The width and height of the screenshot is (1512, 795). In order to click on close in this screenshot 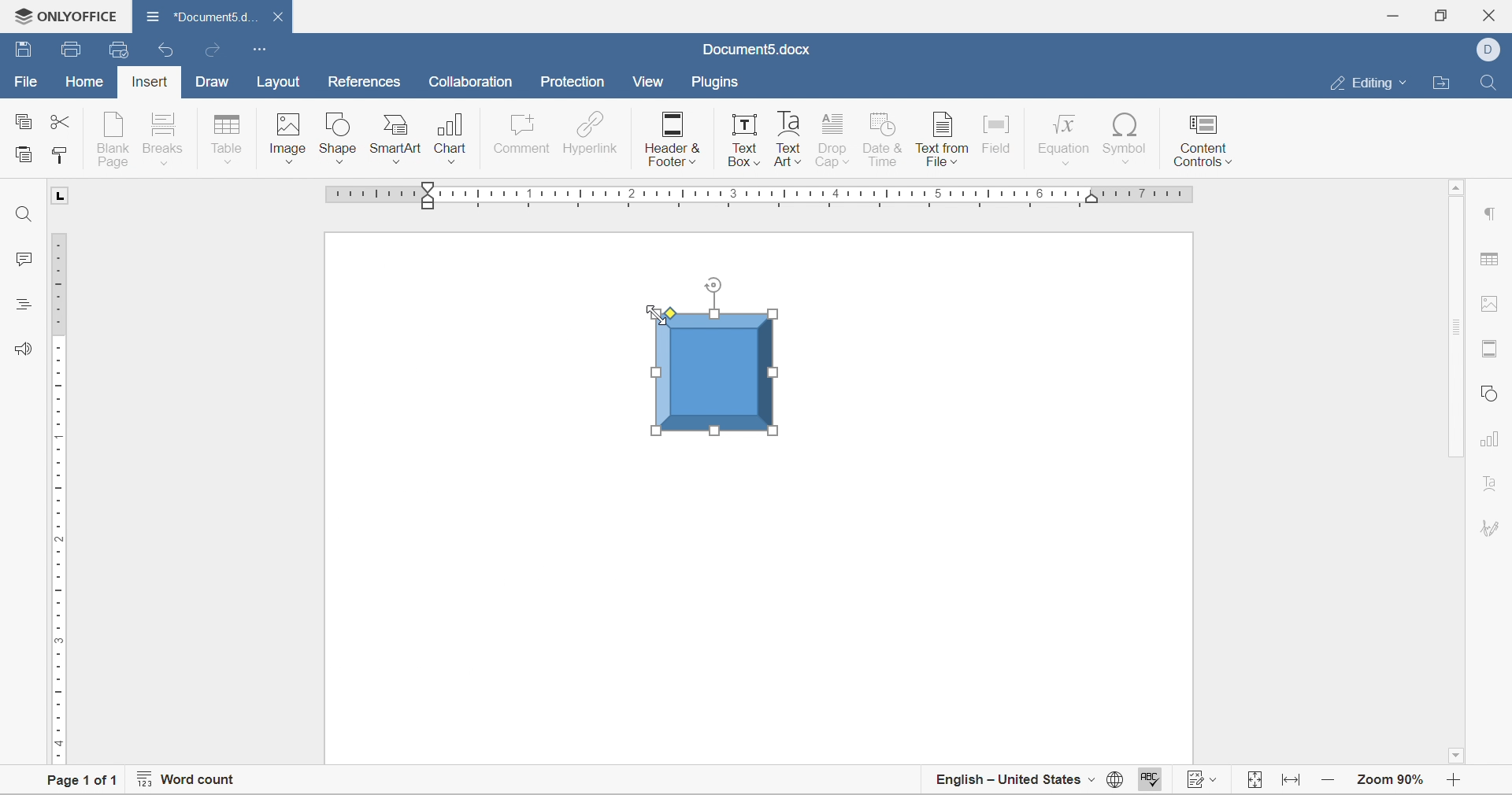, I will do `click(279, 18)`.